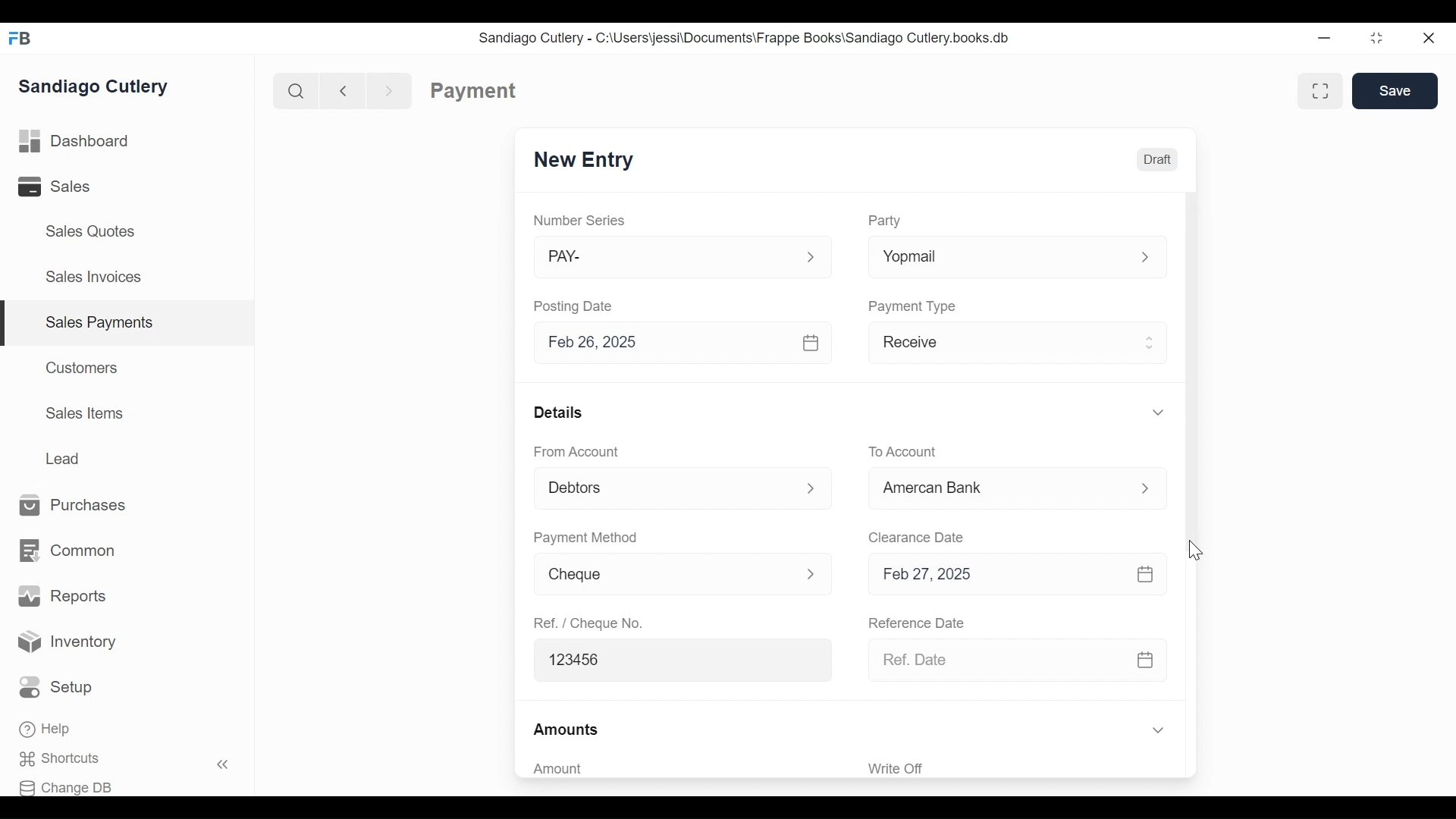 This screenshot has width=1456, height=819. I want to click on Navigate Back, so click(340, 90).